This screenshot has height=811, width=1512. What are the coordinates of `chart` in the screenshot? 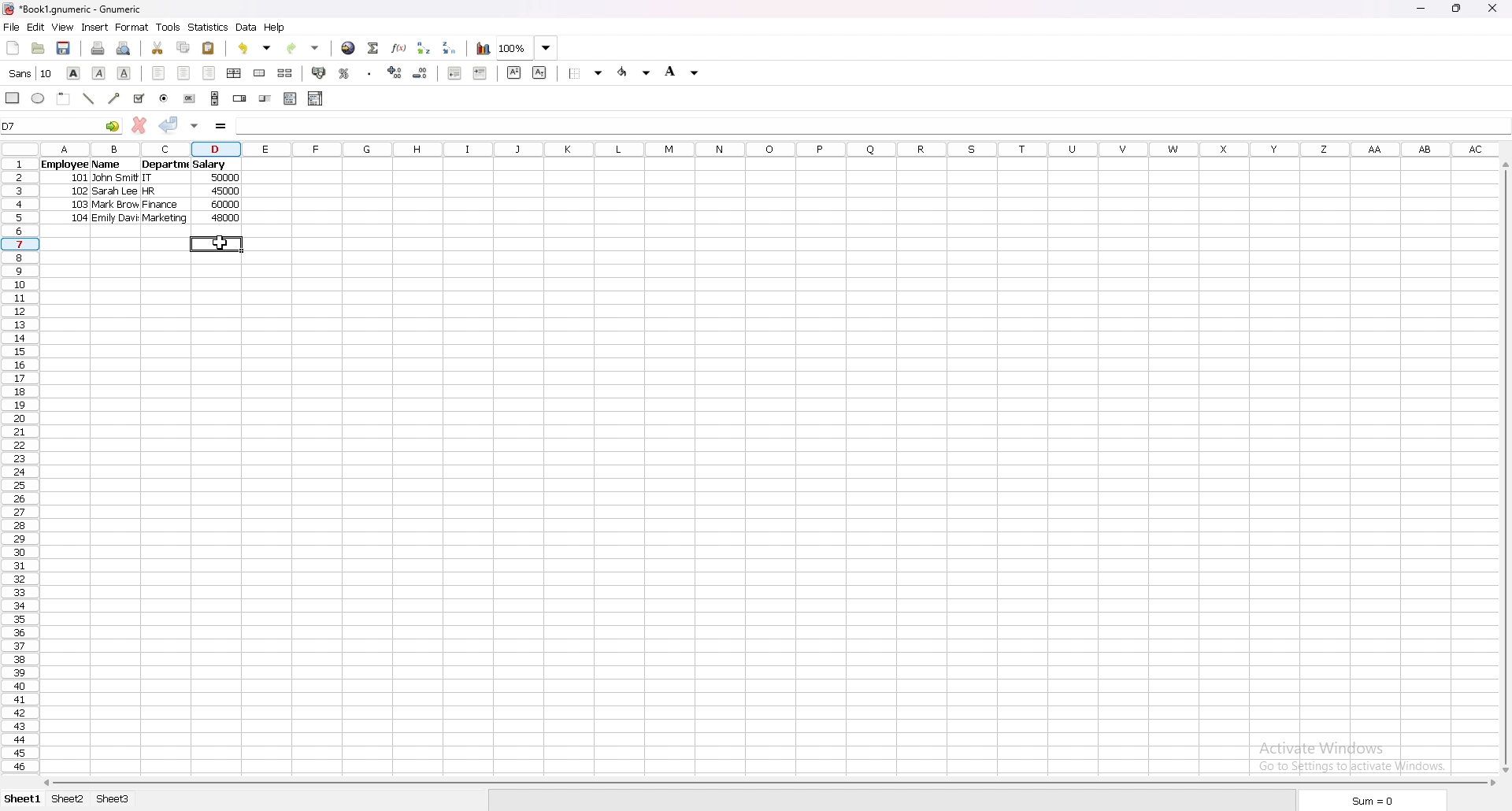 It's located at (484, 49).